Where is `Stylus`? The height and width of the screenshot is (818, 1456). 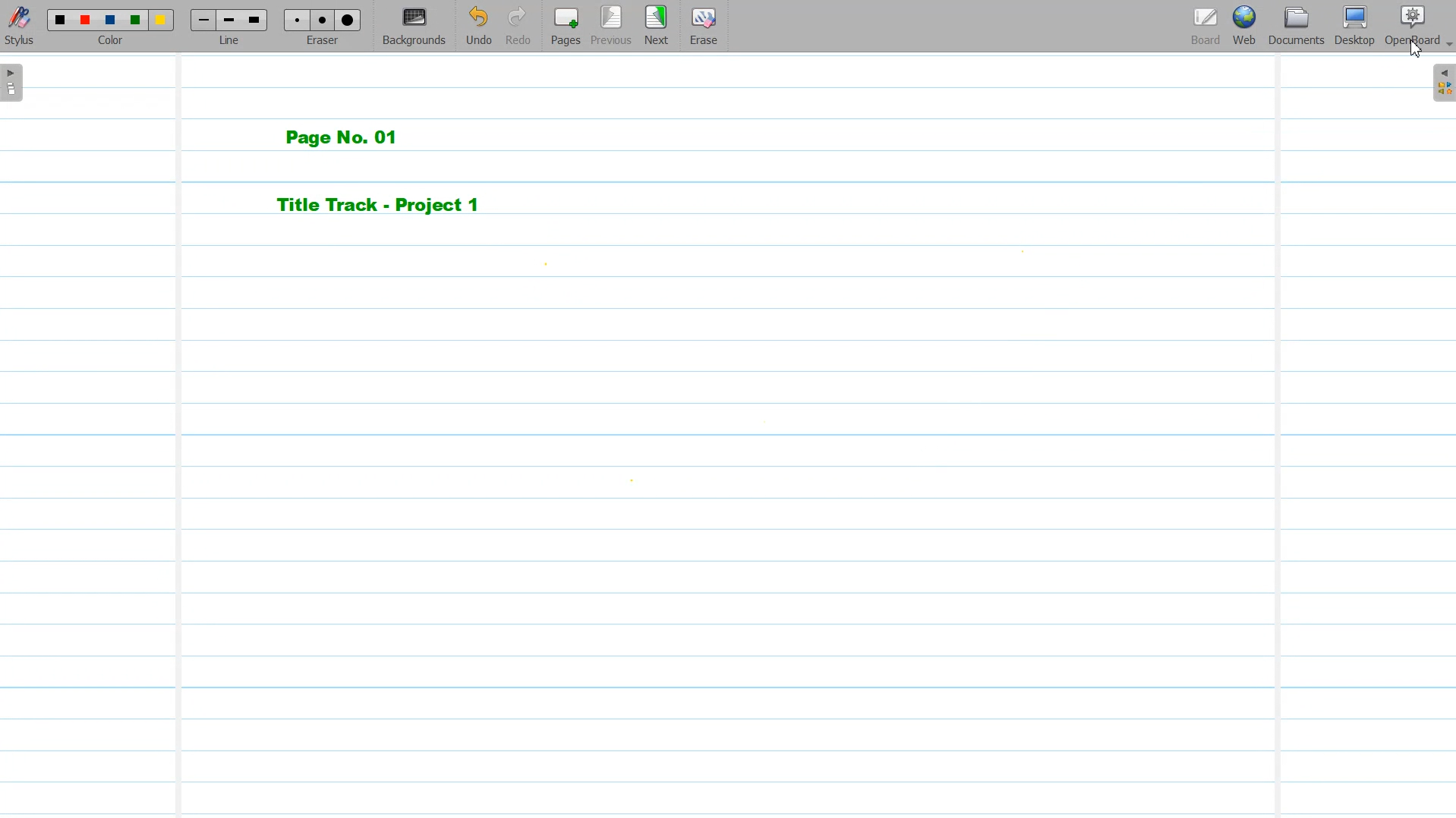
Stylus is located at coordinates (21, 27).